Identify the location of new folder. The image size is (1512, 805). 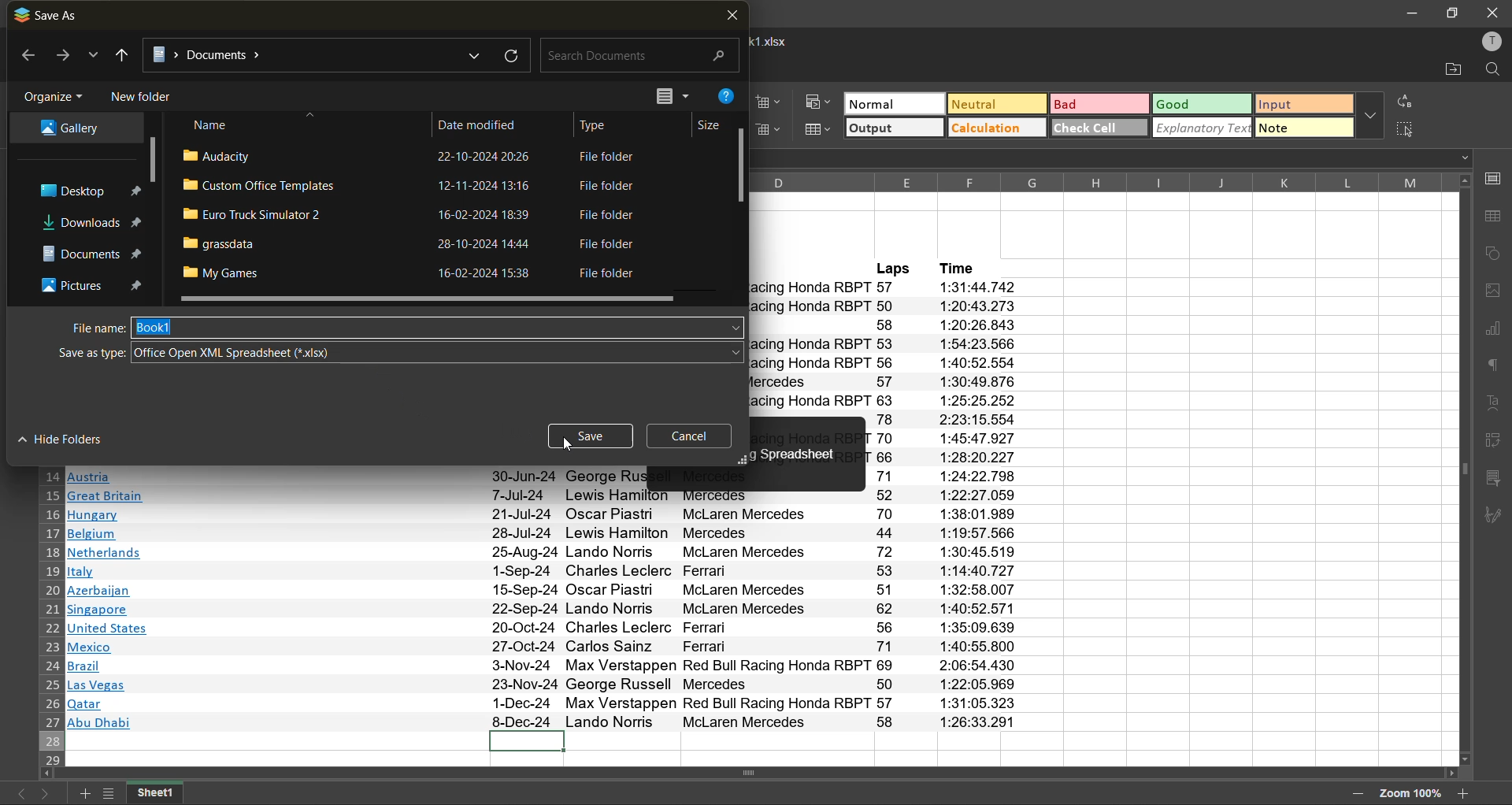
(143, 98).